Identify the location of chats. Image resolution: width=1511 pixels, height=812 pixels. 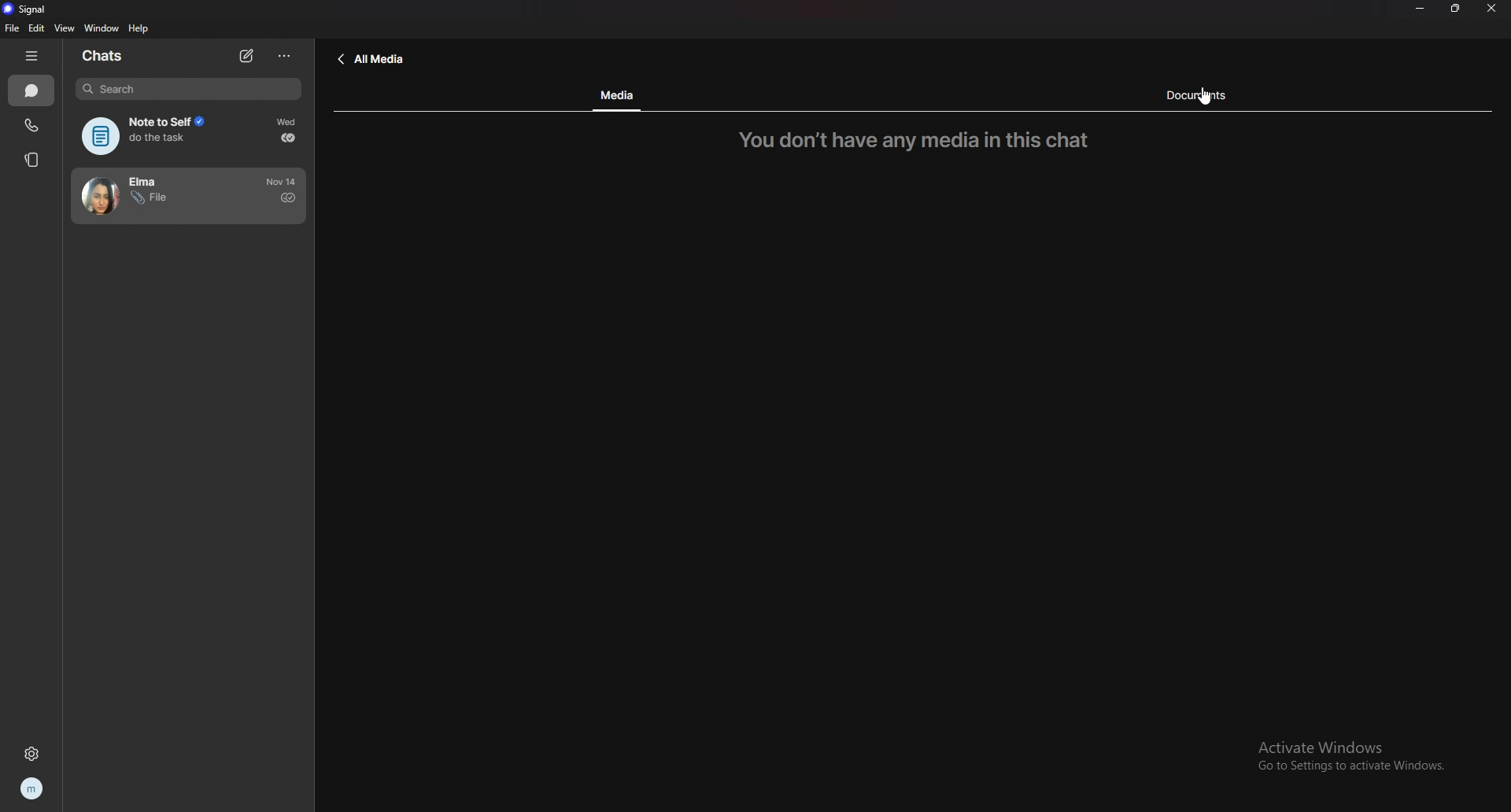
(32, 90).